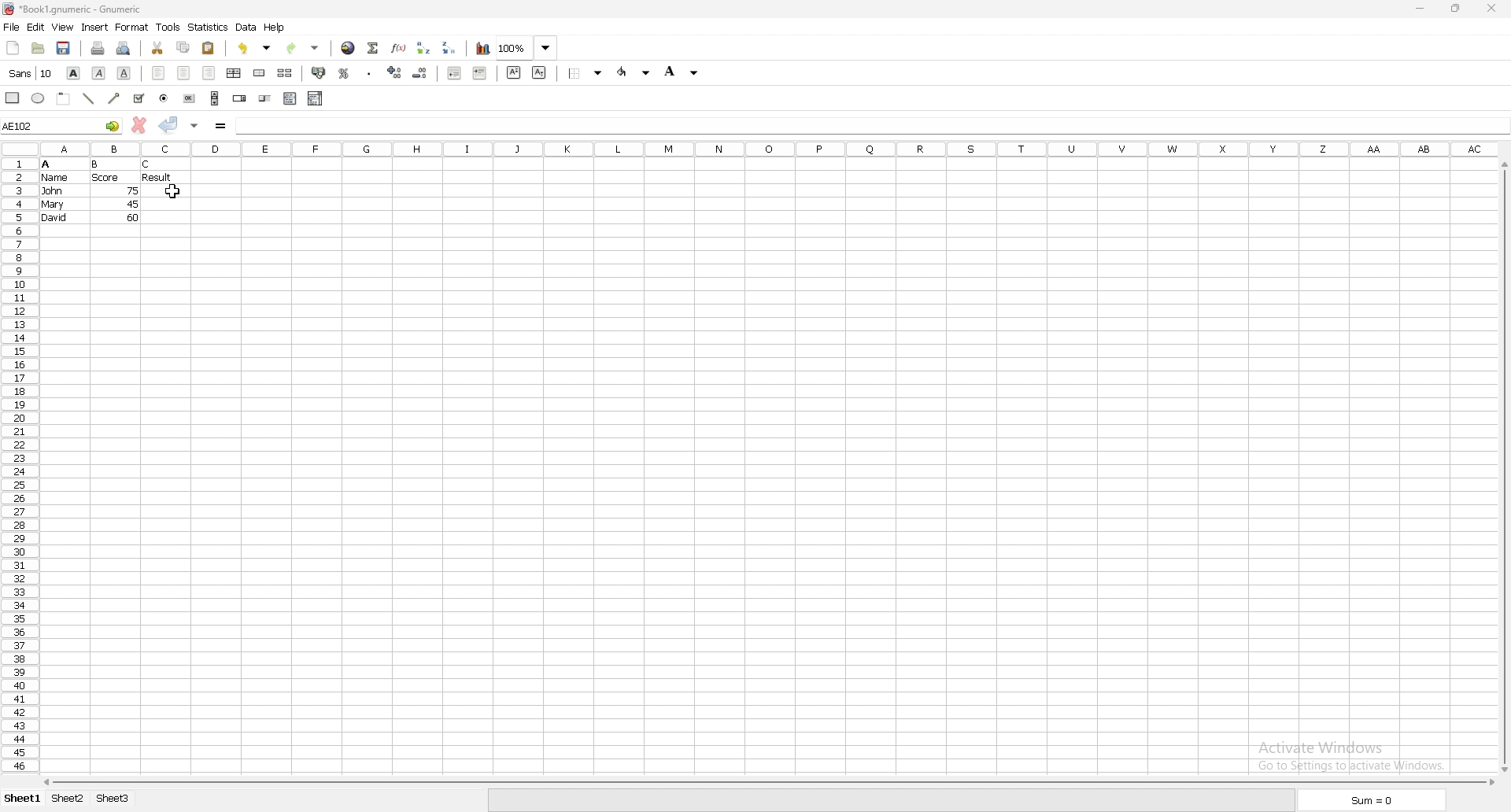 The image size is (1511, 812). What do you see at coordinates (133, 217) in the screenshot?
I see `60` at bounding box center [133, 217].